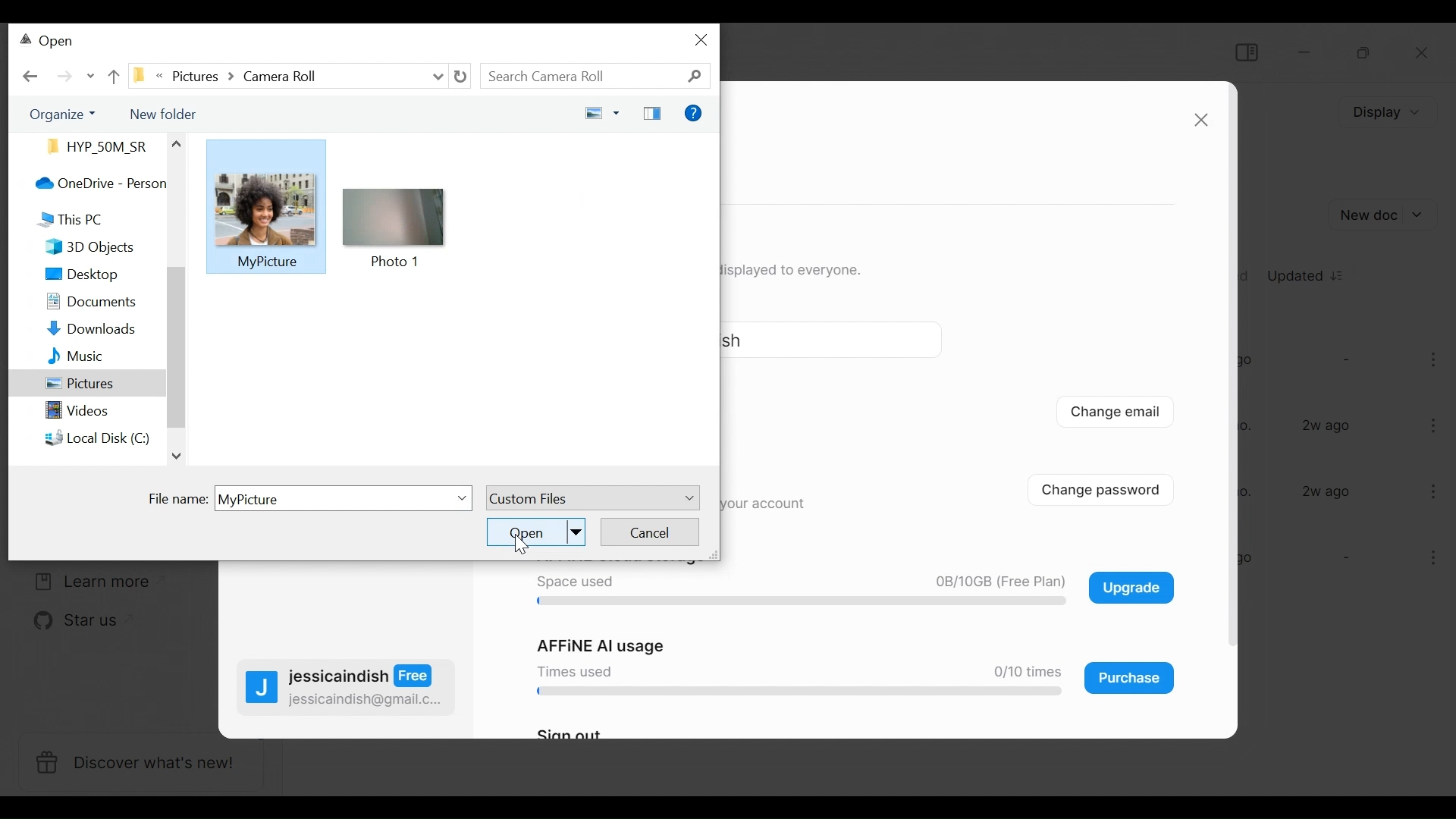 The image size is (1456, 819). Describe the element at coordinates (264, 206) in the screenshot. I see `icon` at that location.